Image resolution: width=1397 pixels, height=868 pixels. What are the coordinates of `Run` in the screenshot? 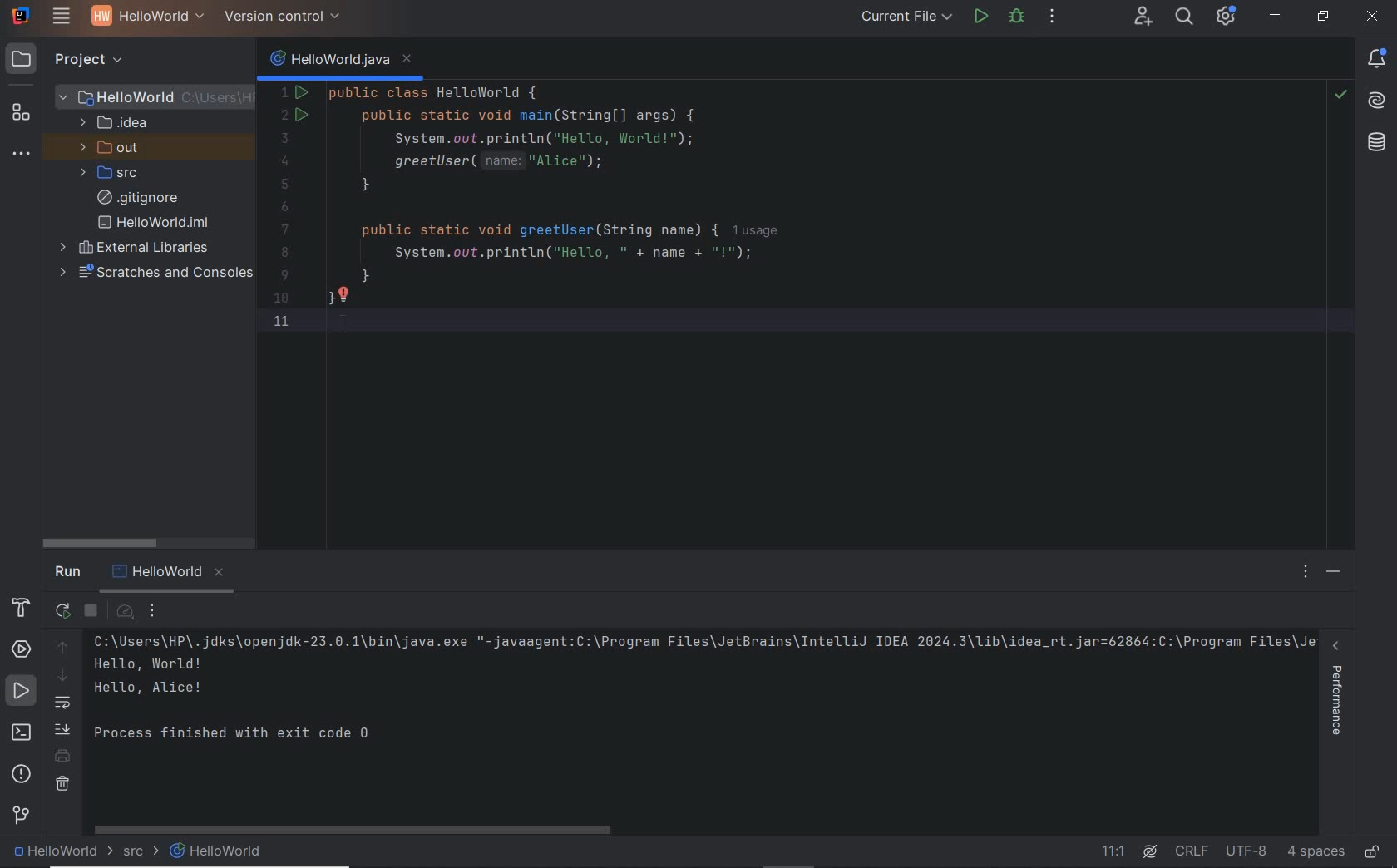 It's located at (70, 571).